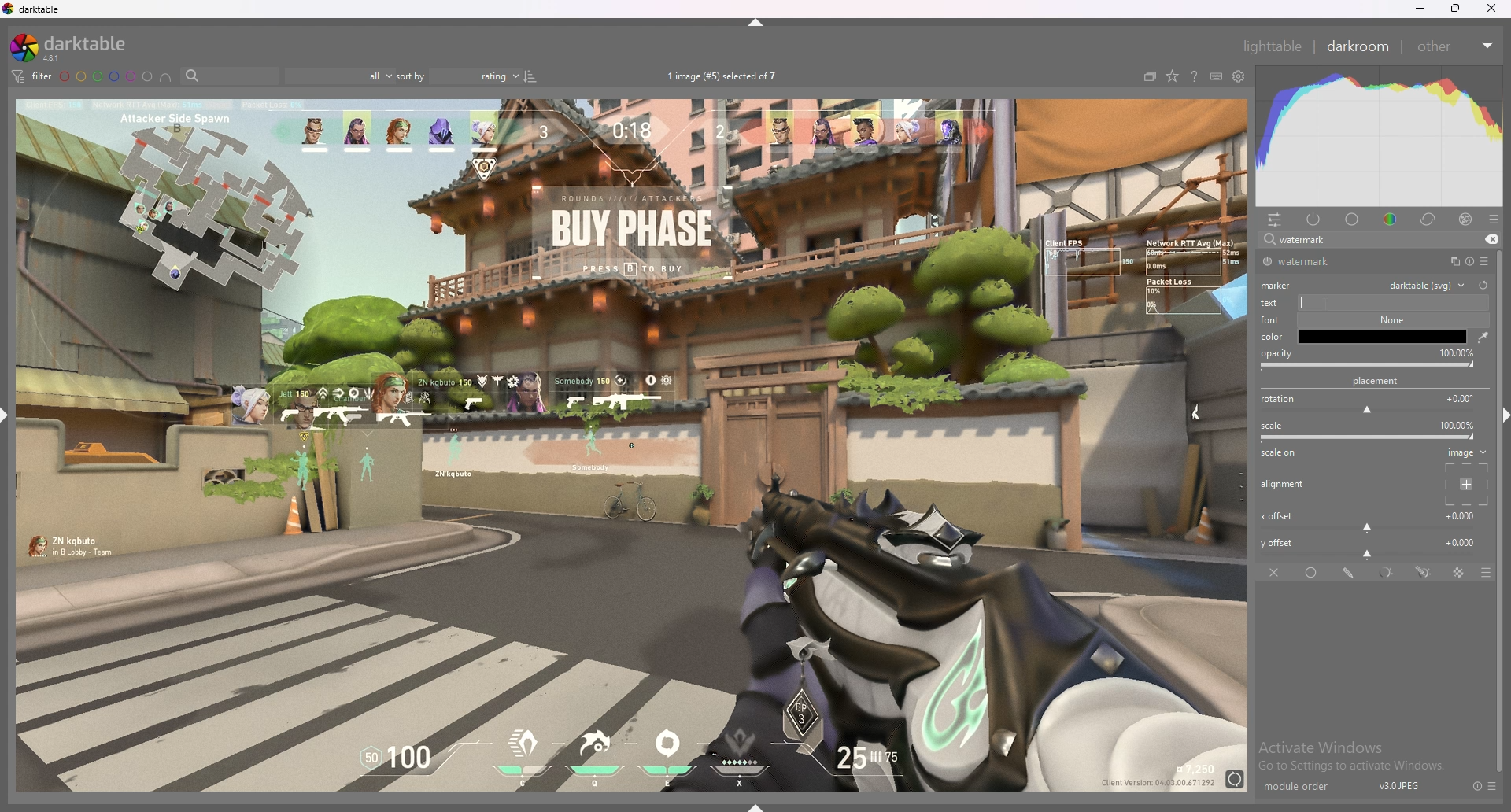  What do you see at coordinates (1400, 785) in the screenshot?
I see `version` at bounding box center [1400, 785].